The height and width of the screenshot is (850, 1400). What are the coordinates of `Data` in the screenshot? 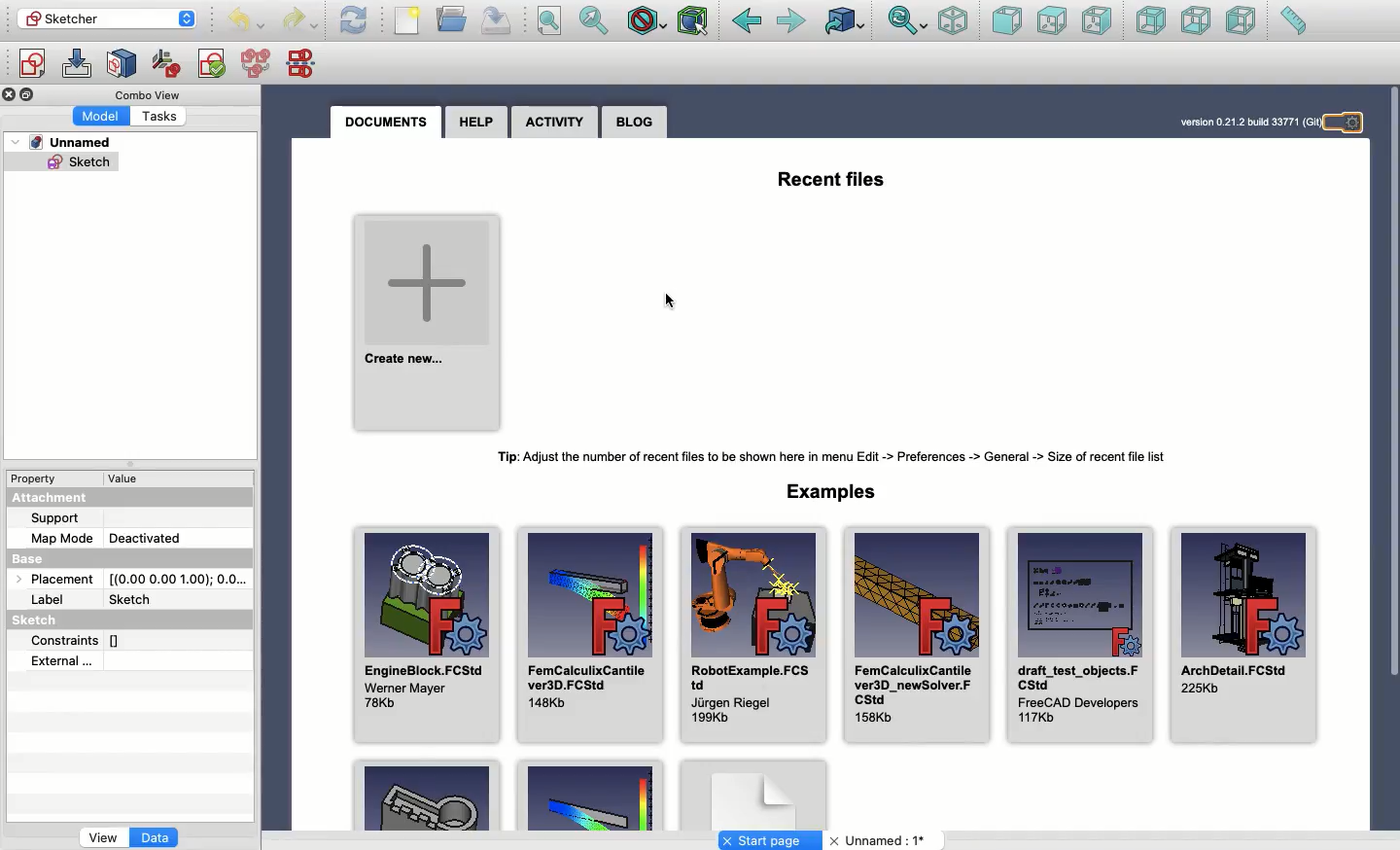 It's located at (156, 835).